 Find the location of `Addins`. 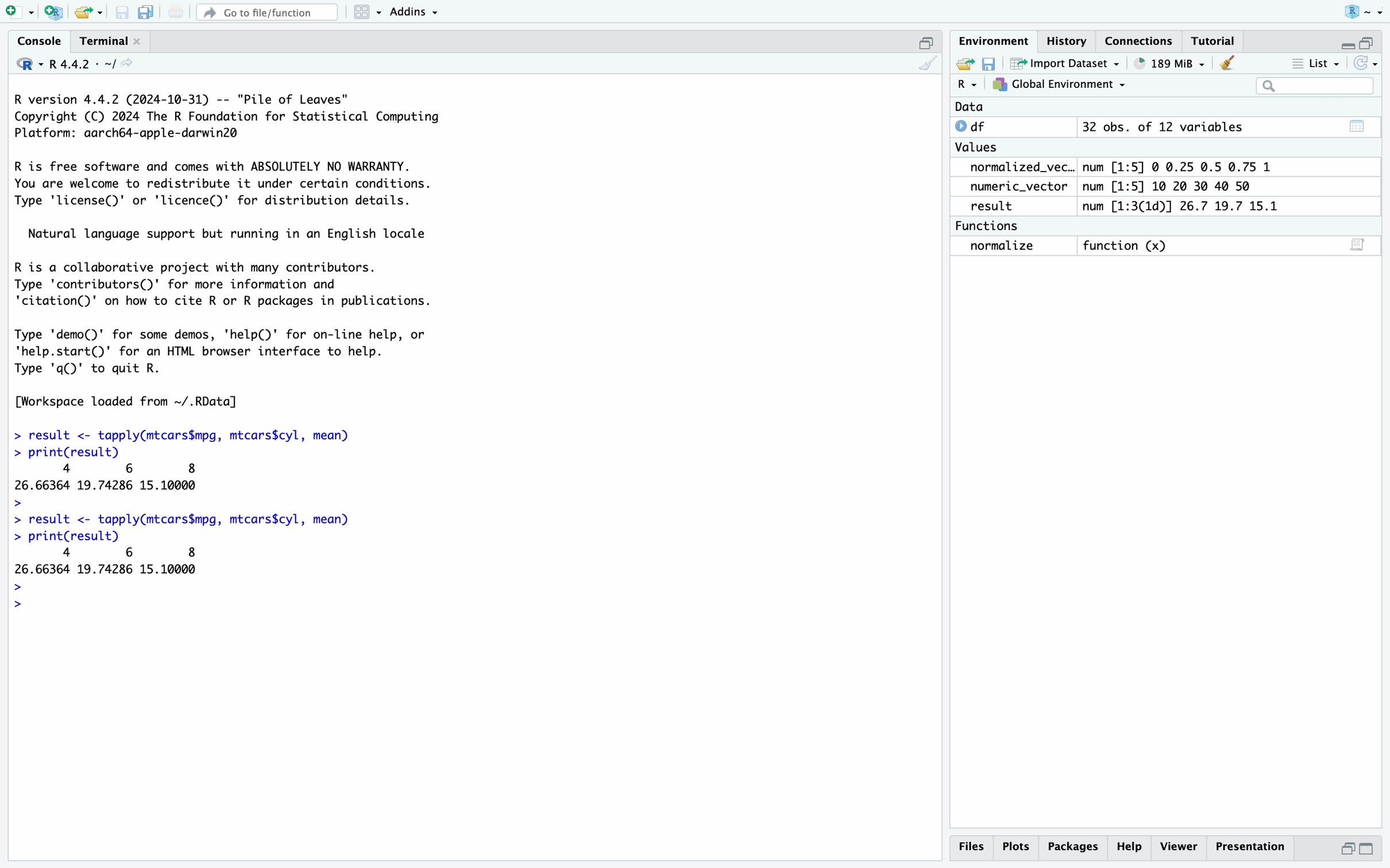

Addins is located at coordinates (415, 10).